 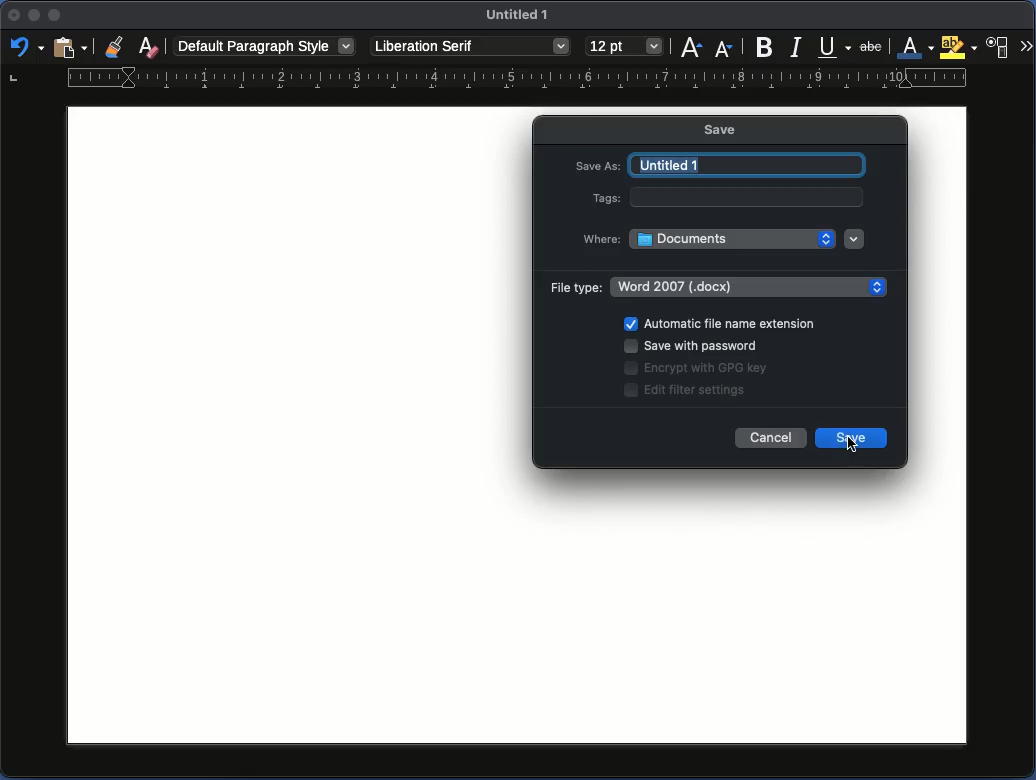 What do you see at coordinates (35, 18) in the screenshot?
I see `Minimize` at bounding box center [35, 18].